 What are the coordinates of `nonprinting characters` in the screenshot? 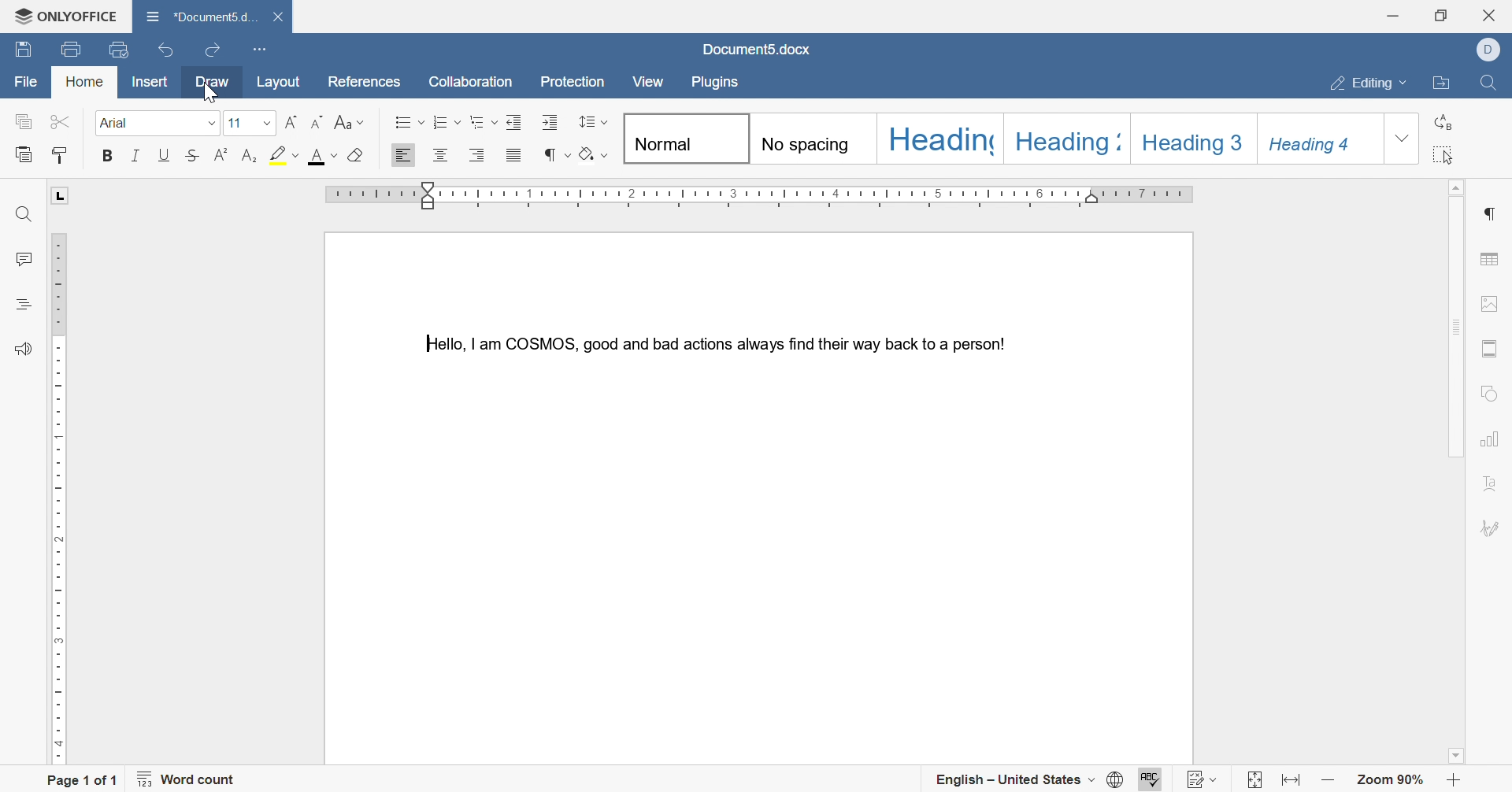 It's located at (555, 154).